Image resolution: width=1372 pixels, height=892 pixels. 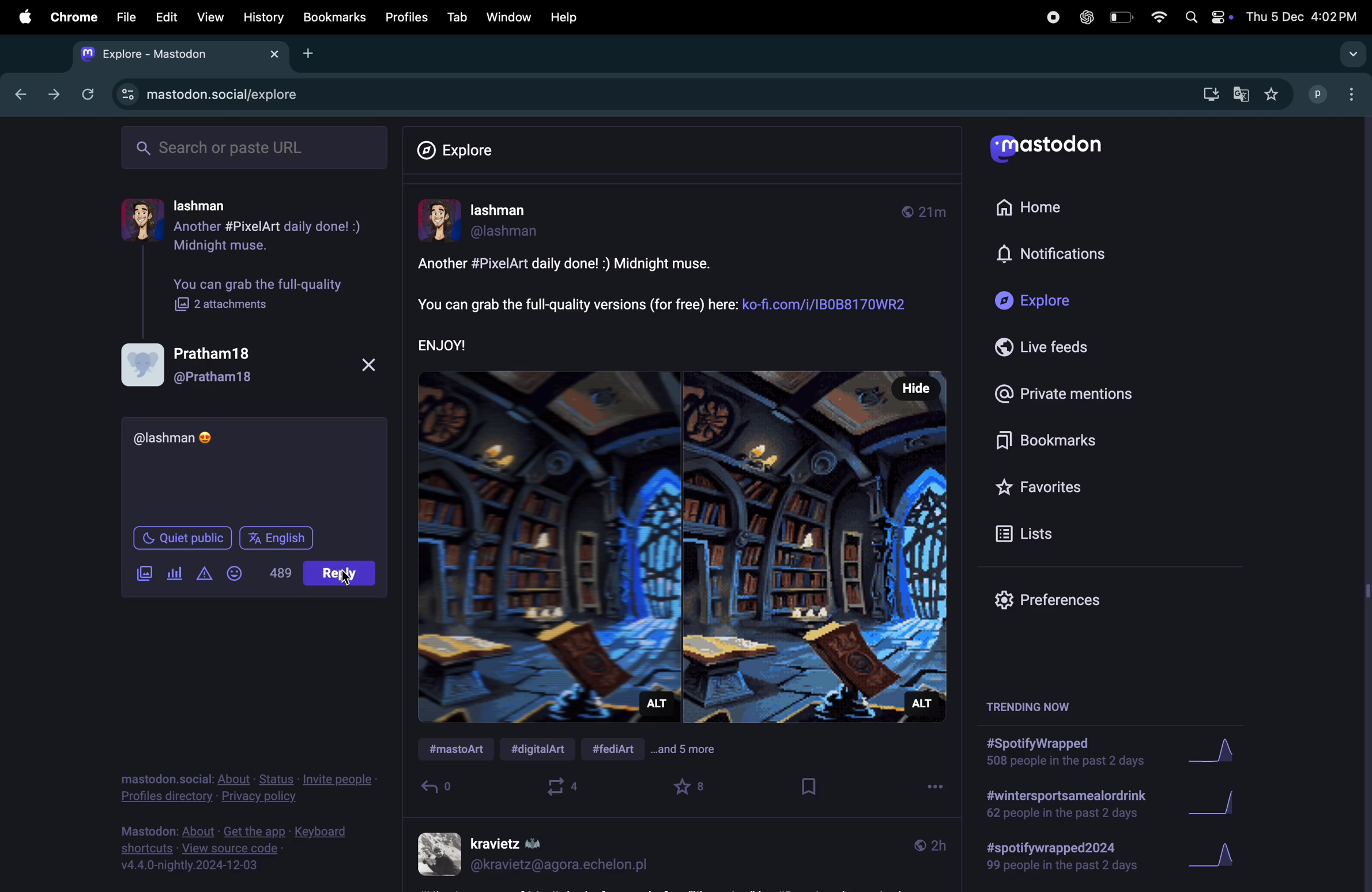 What do you see at coordinates (1337, 95) in the screenshot?
I see `profile ` at bounding box center [1337, 95].